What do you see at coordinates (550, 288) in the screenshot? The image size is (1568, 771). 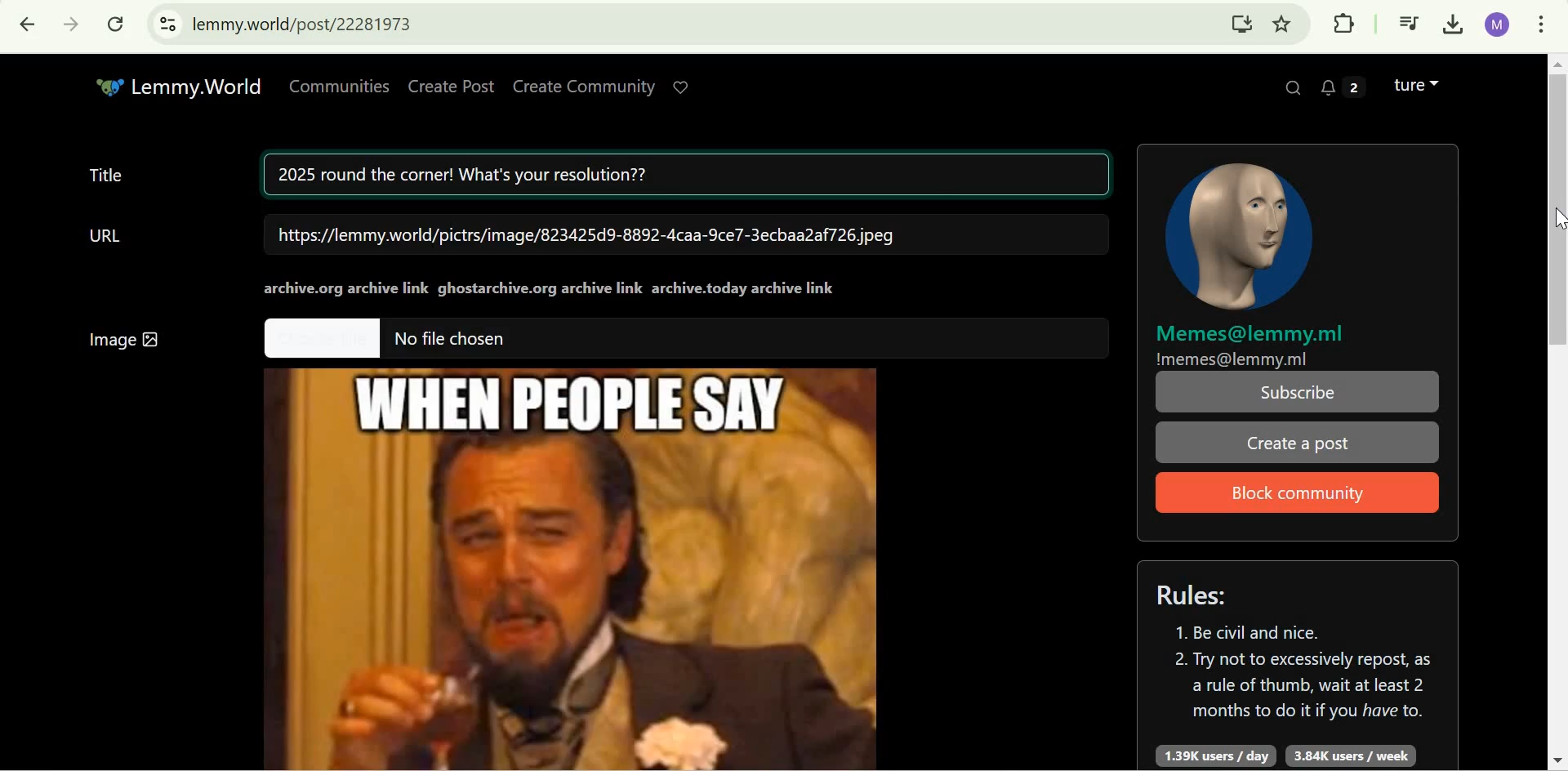 I see `archive.org archive linkghostarchive.org archive linkarchive.today archive link` at bounding box center [550, 288].